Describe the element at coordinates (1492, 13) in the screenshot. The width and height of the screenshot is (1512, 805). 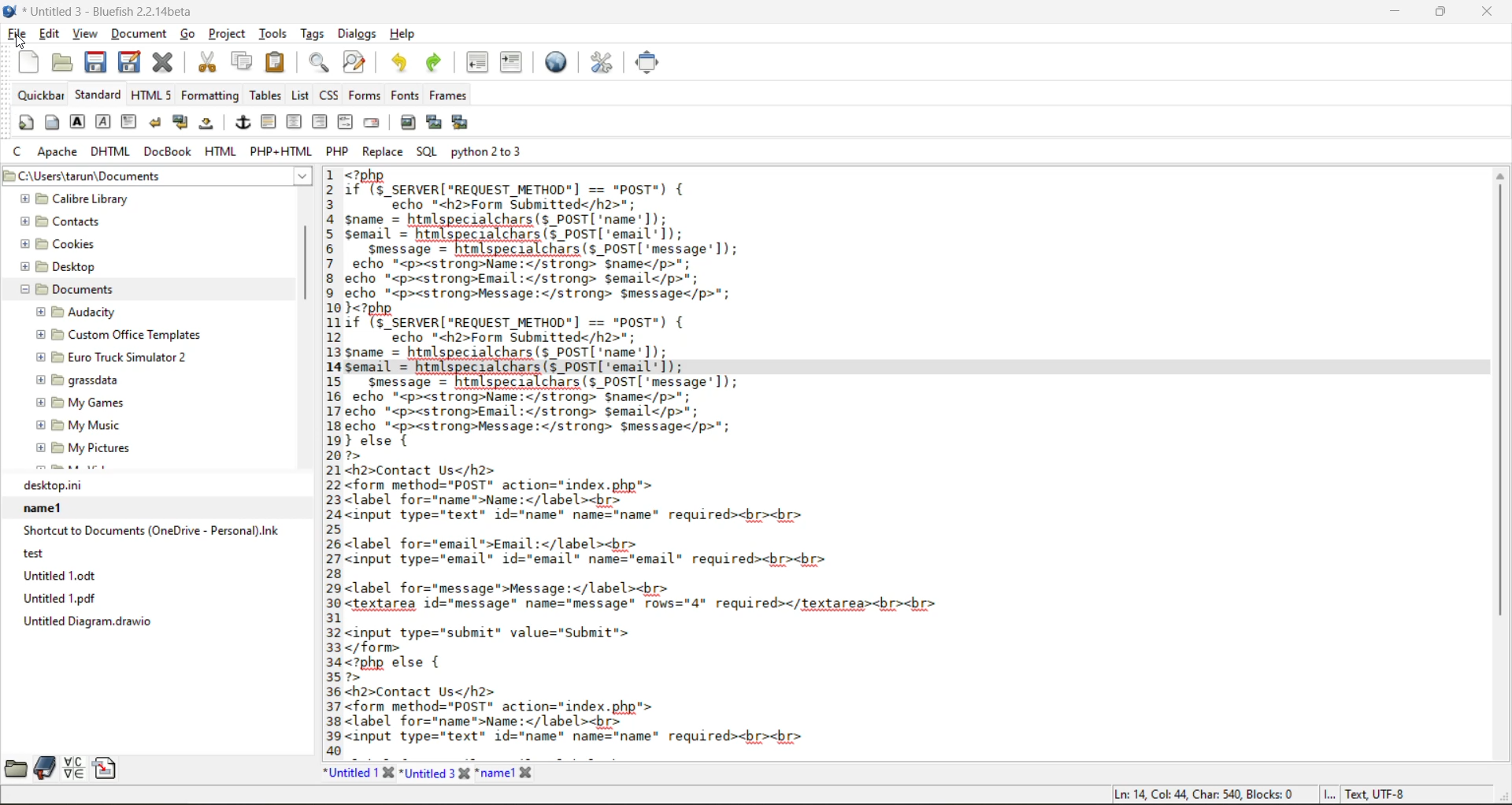
I see `close` at that location.